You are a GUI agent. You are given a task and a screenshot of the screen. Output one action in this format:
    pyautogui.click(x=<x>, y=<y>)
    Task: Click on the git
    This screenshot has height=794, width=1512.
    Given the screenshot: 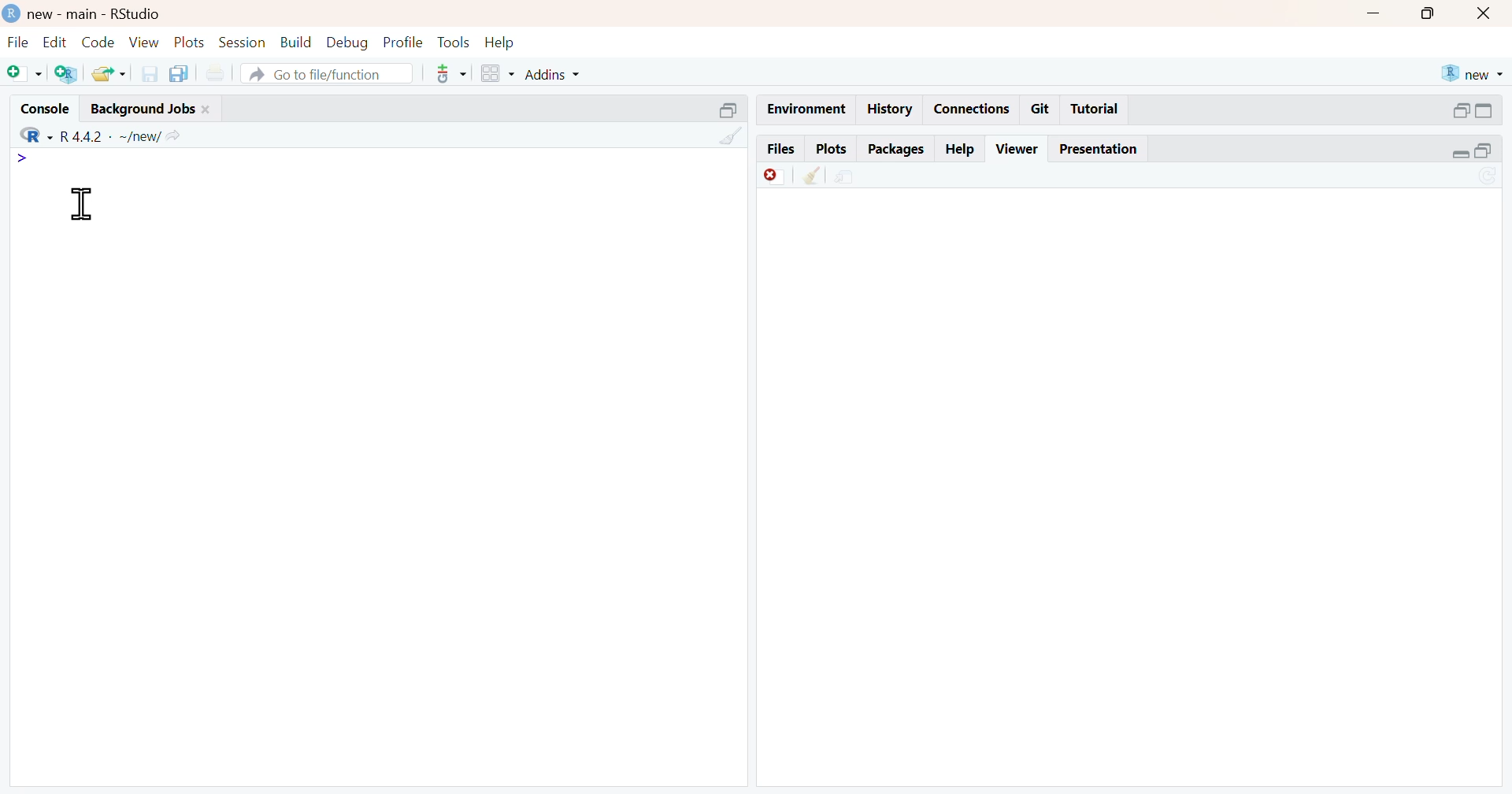 What is the action you would take?
    pyautogui.click(x=1043, y=109)
    